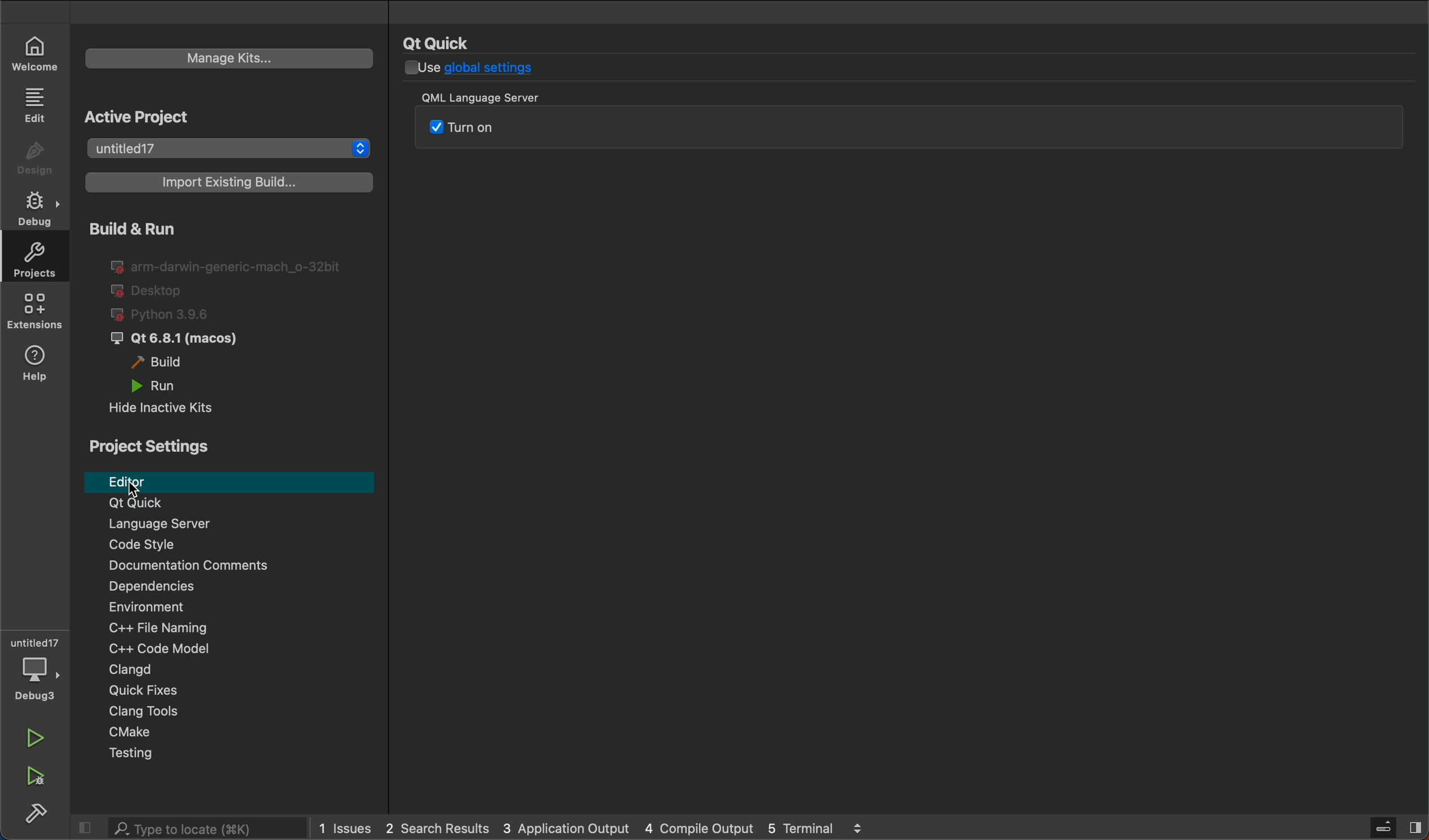 The width and height of the screenshot is (1429, 840). Describe the element at coordinates (39, 313) in the screenshot. I see `extensions` at that location.